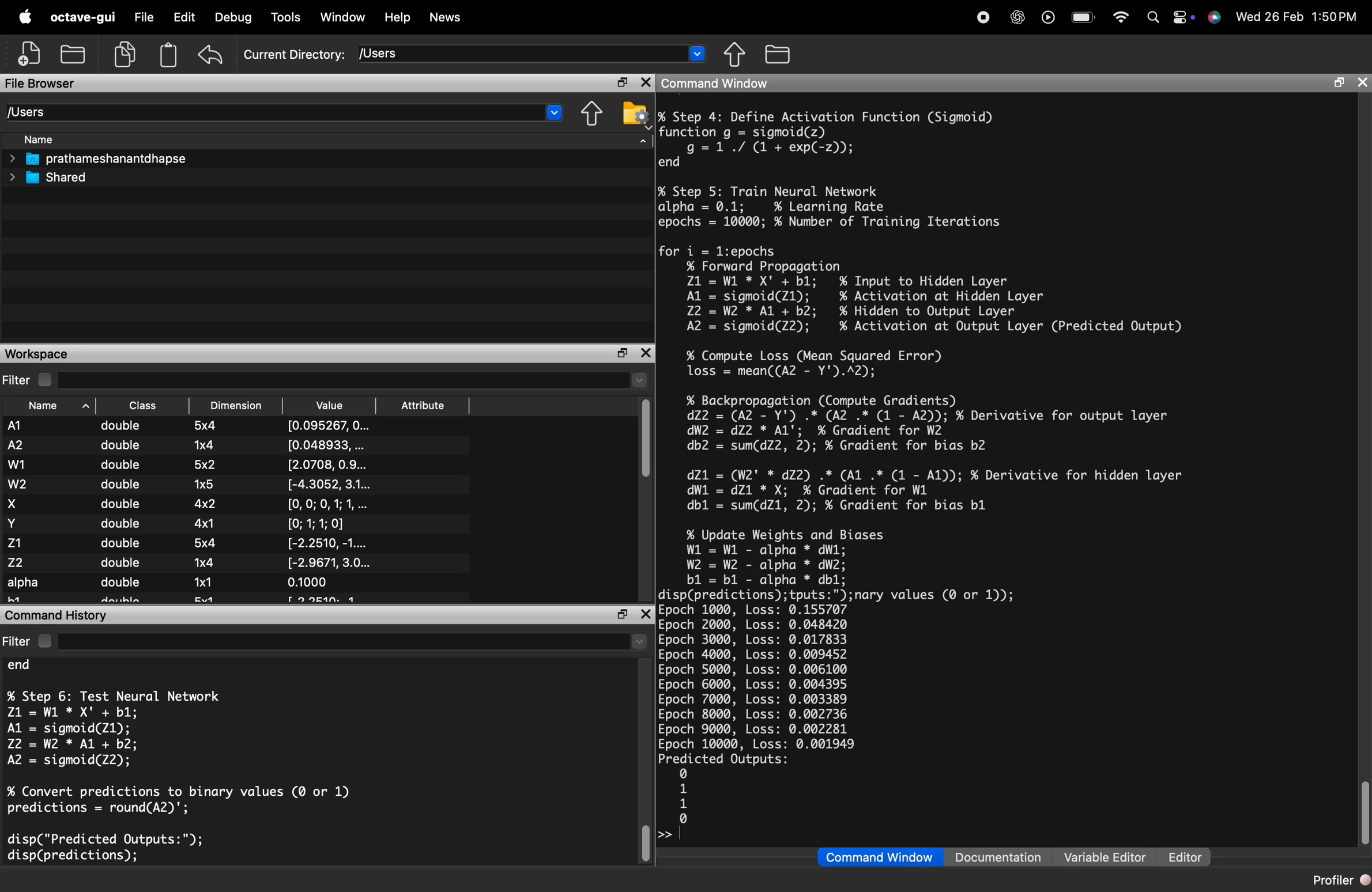 The image size is (1372, 892). Describe the element at coordinates (1045, 17) in the screenshot. I see `play` at that location.